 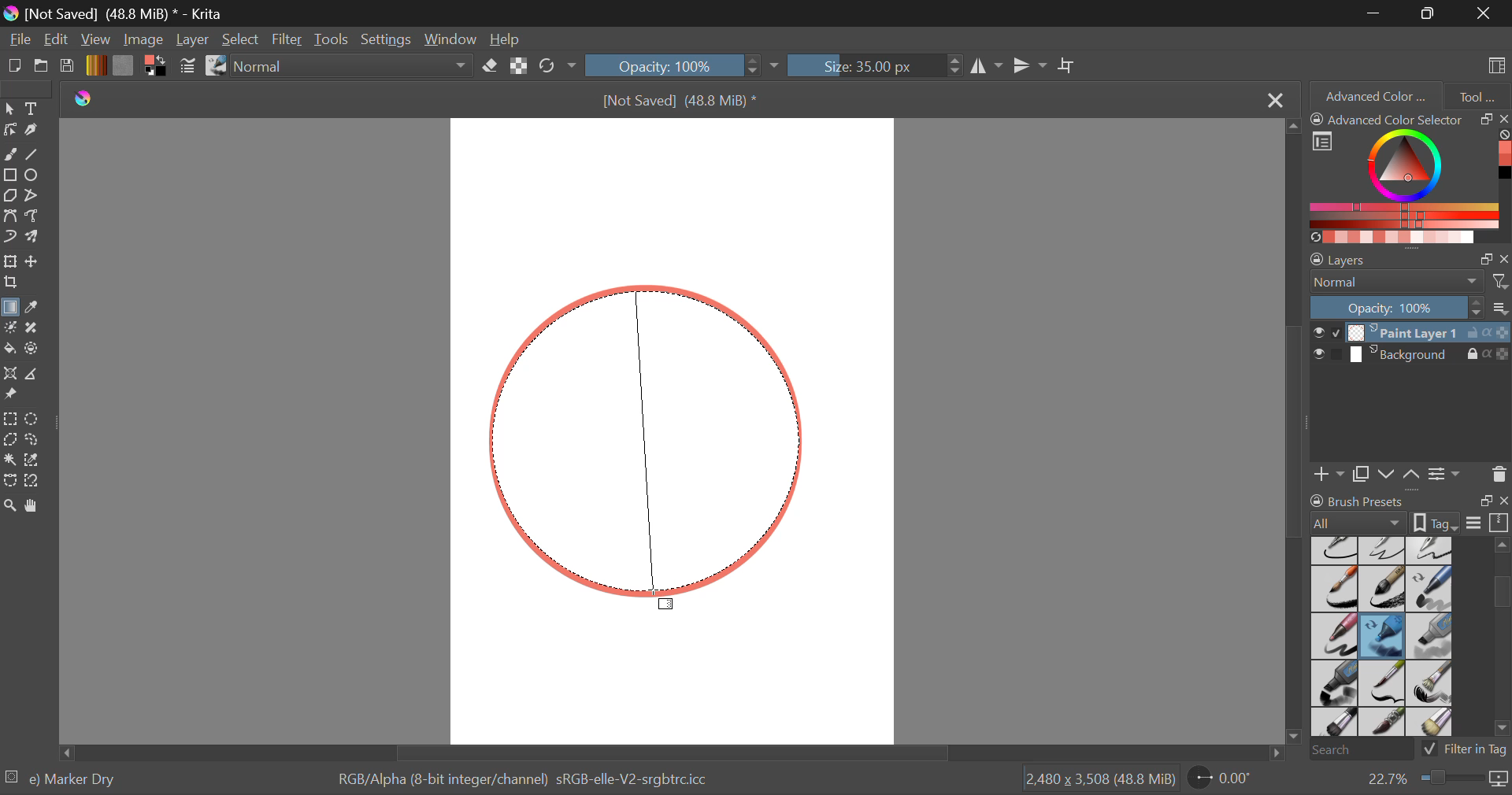 I want to click on Filter in Tag, so click(x=1466, y=748).